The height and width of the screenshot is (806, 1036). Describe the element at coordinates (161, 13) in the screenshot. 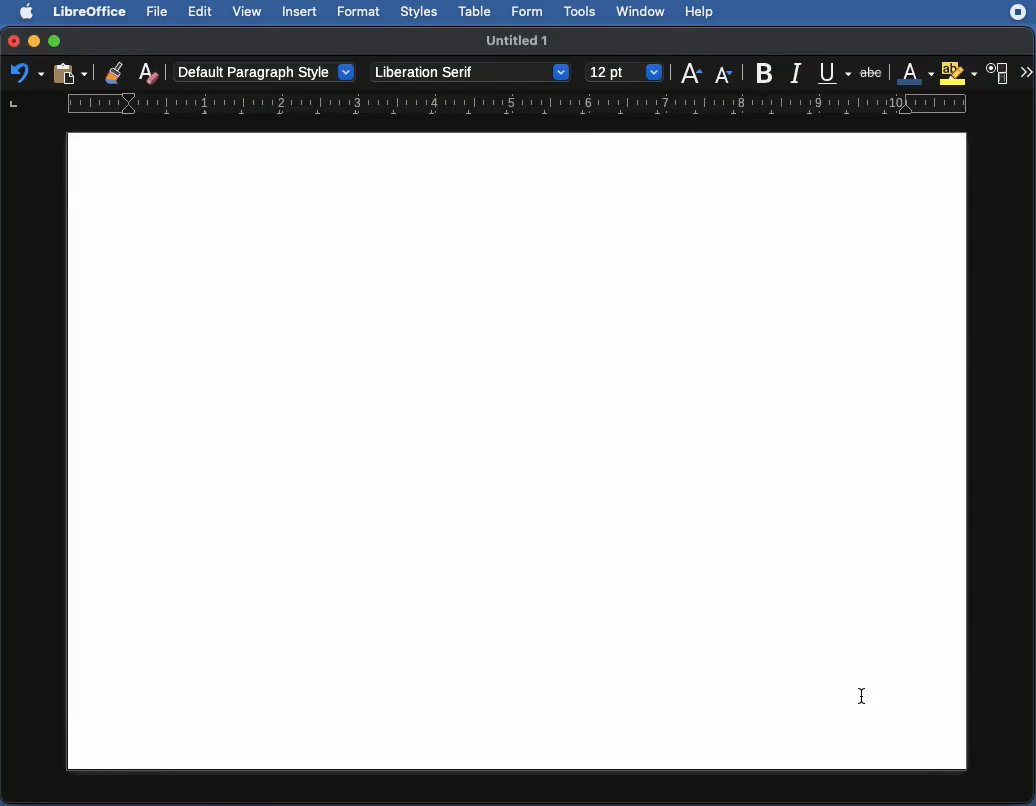

I see `File` at that location.